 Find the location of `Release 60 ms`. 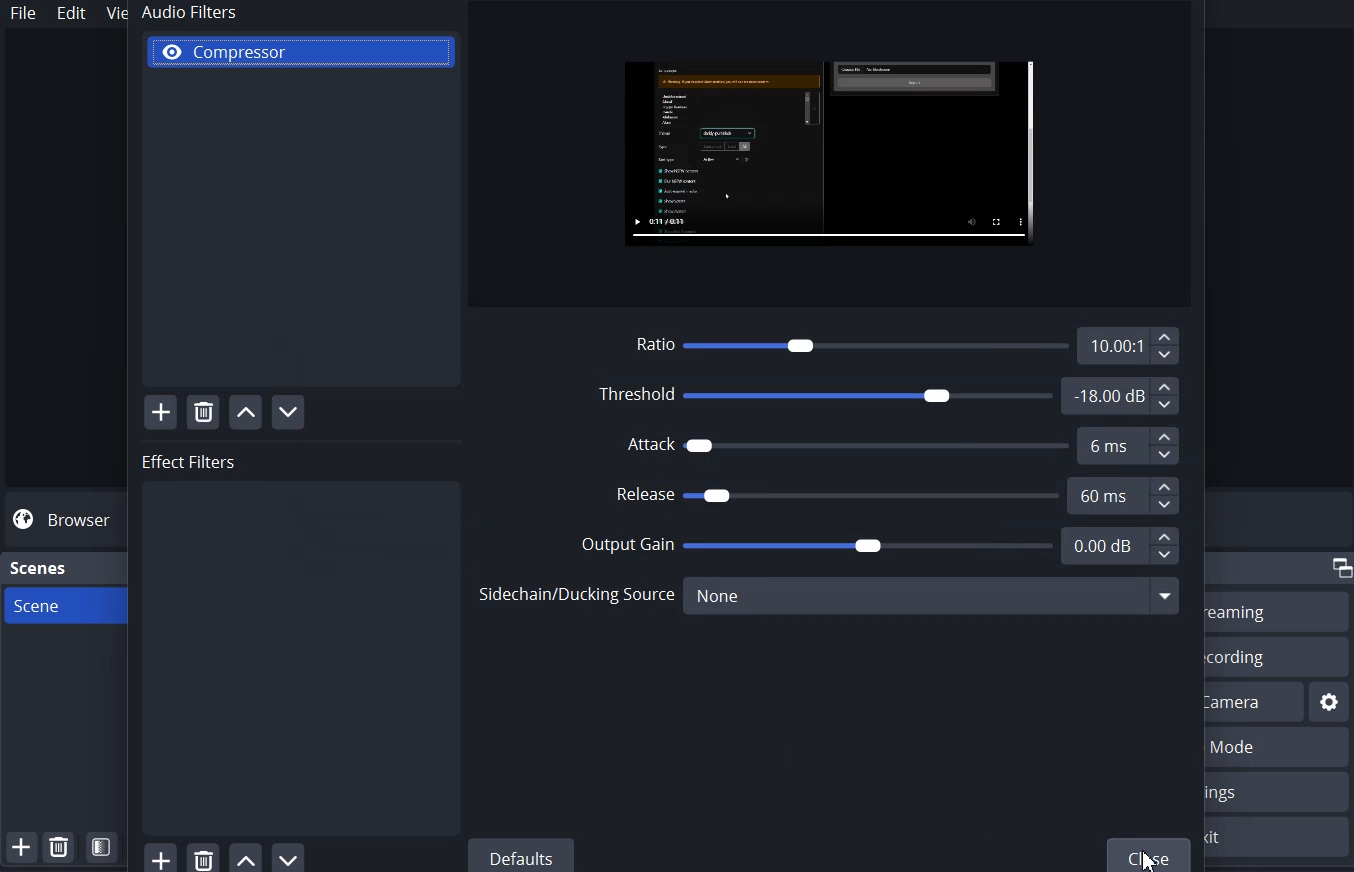

Release 60 ms is located at coordinates (896, 495).